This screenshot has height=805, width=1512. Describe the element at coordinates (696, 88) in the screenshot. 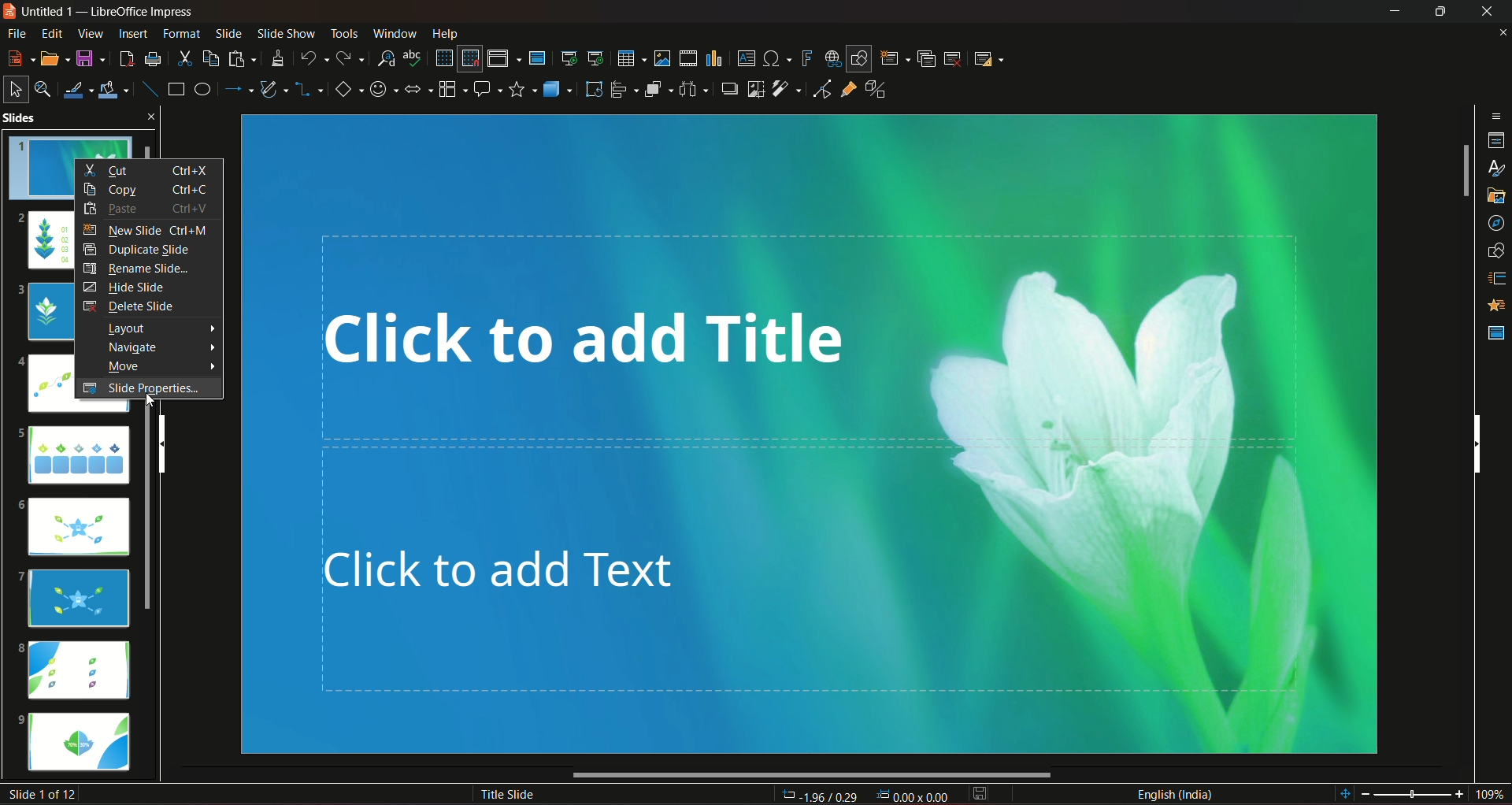

I see `select atlest 3 objects` at that location.